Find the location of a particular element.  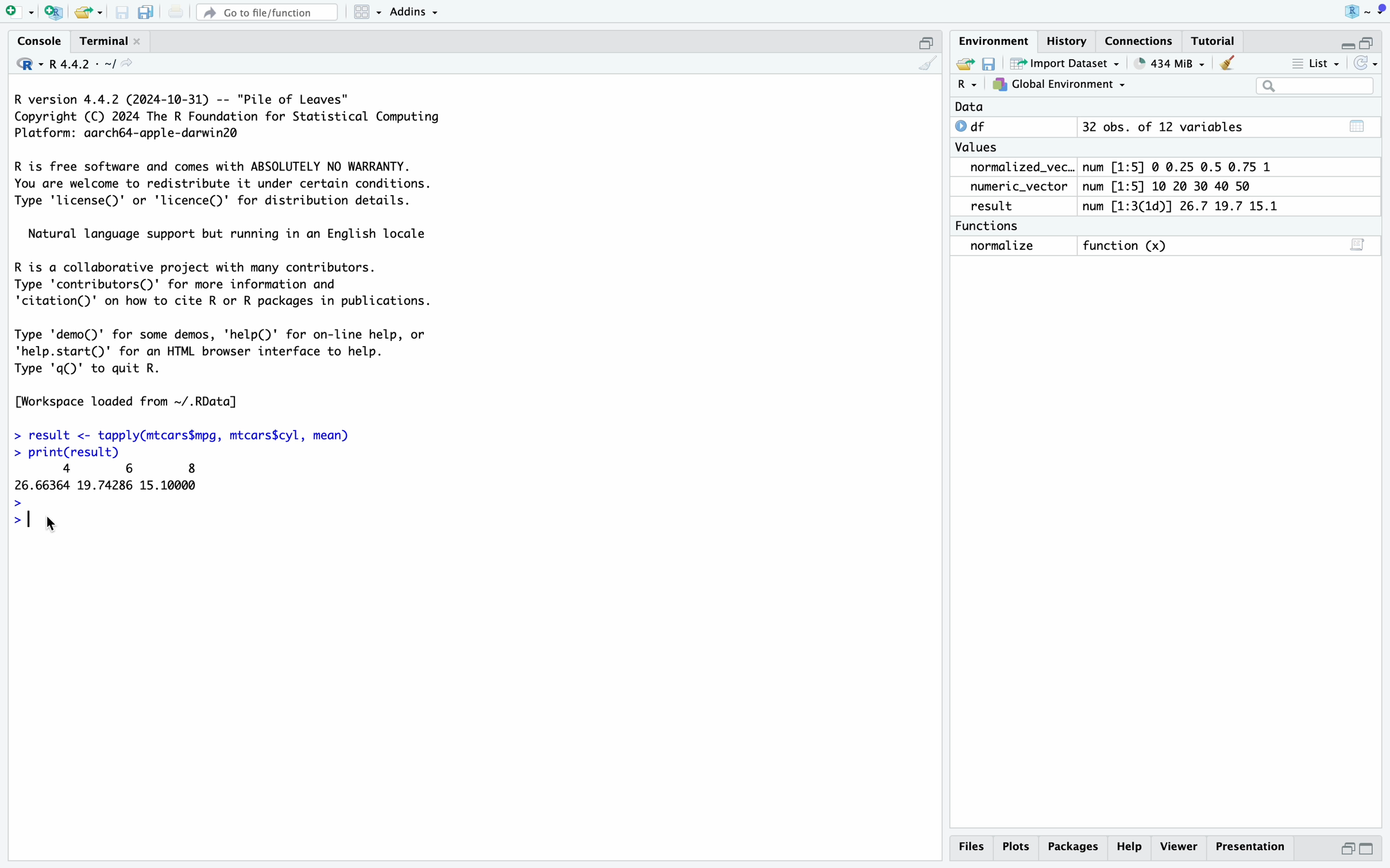

df is located at coordinates (979, 127).